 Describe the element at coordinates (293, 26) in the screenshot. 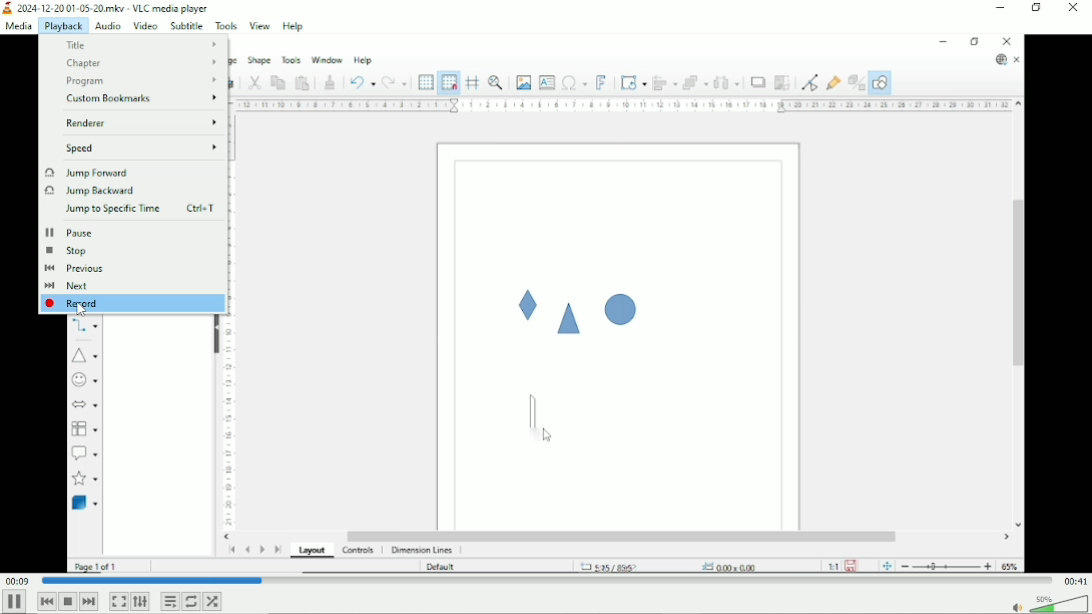

I see `Help` at that location.